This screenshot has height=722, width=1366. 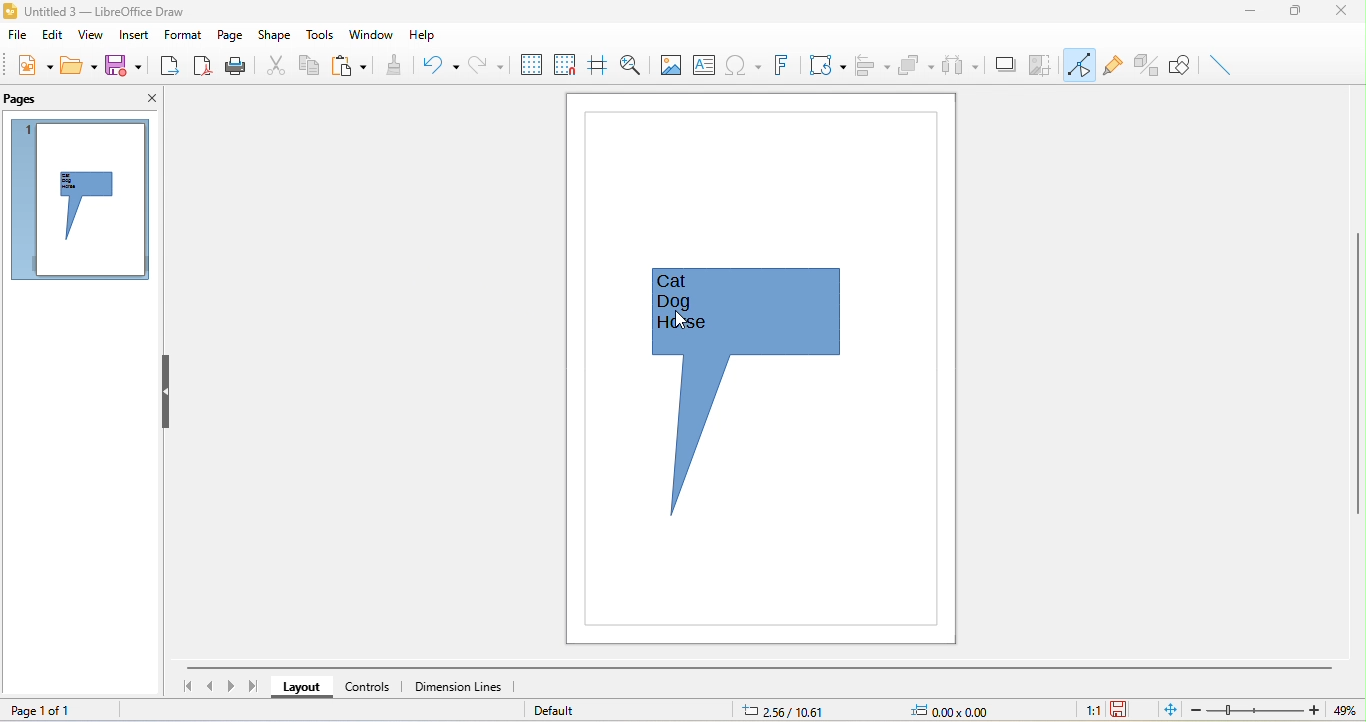 What do you see at coordinates (436, 64) in the screenshot?
I see `undo` at bounding box center [436, 64].